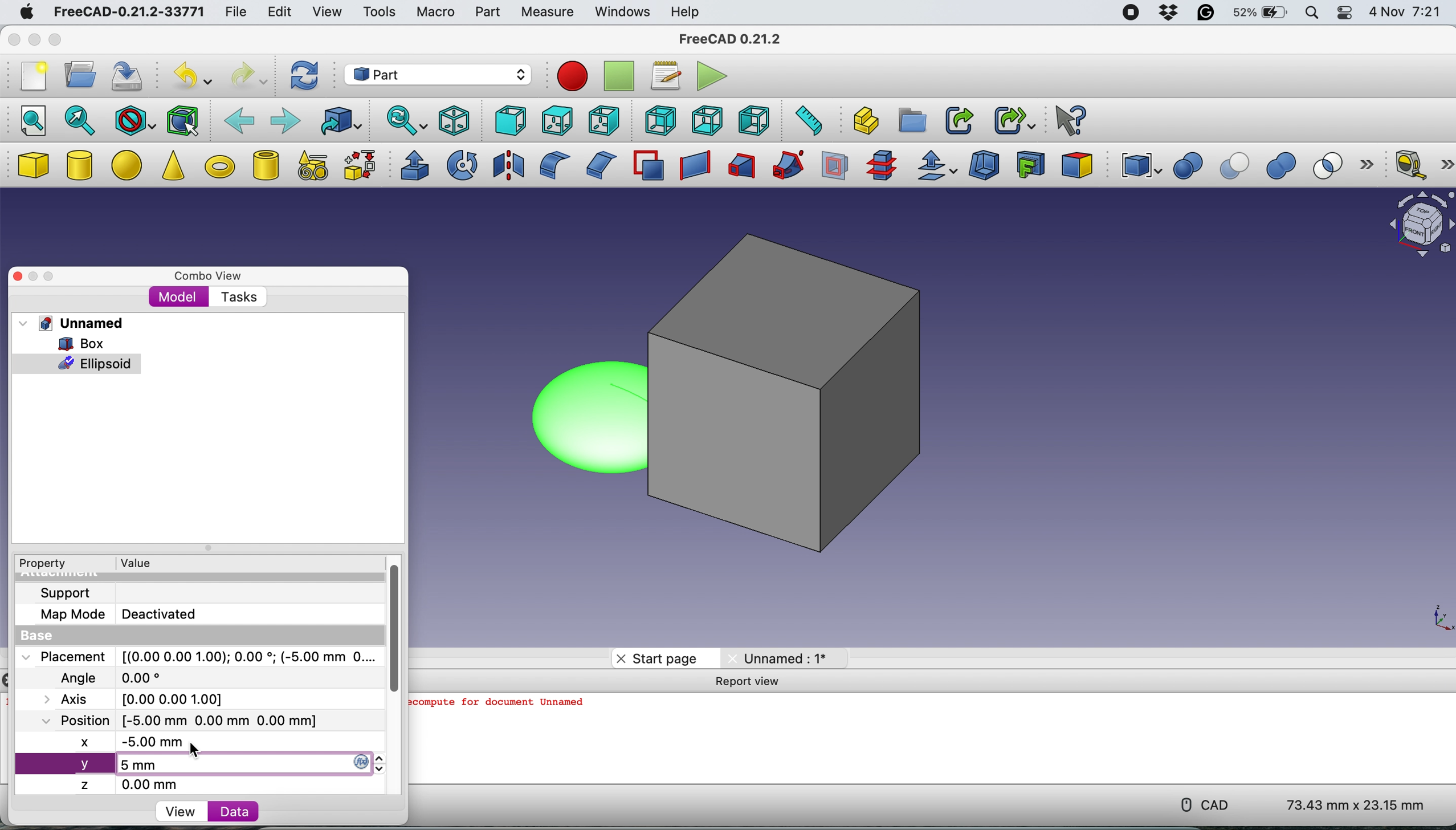 The width and height of the screenshot is (1456, 830). I want to click on battery, so click(1258, 14).